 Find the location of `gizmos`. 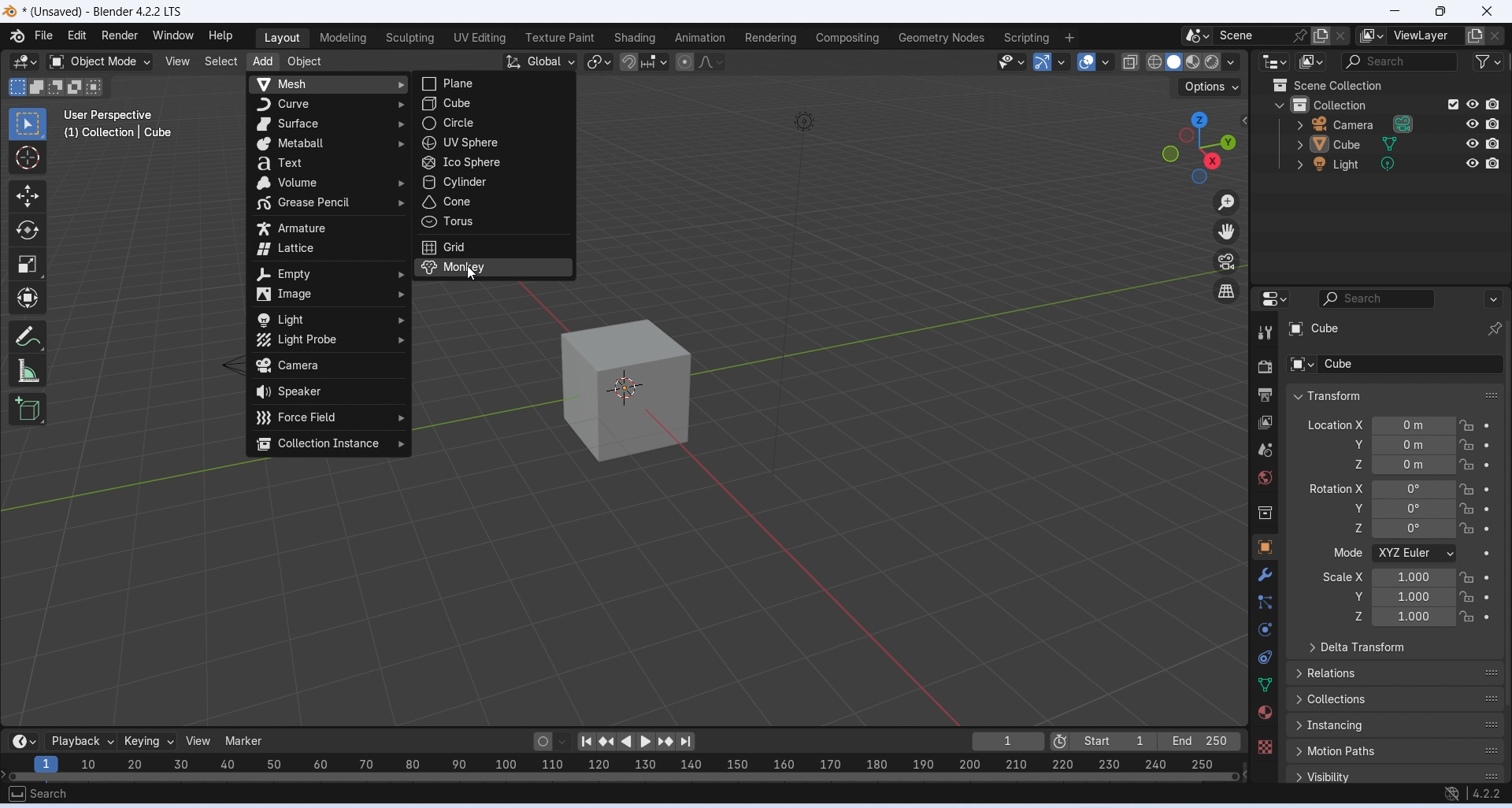

gizmos is located at coordinates (1061, 61).